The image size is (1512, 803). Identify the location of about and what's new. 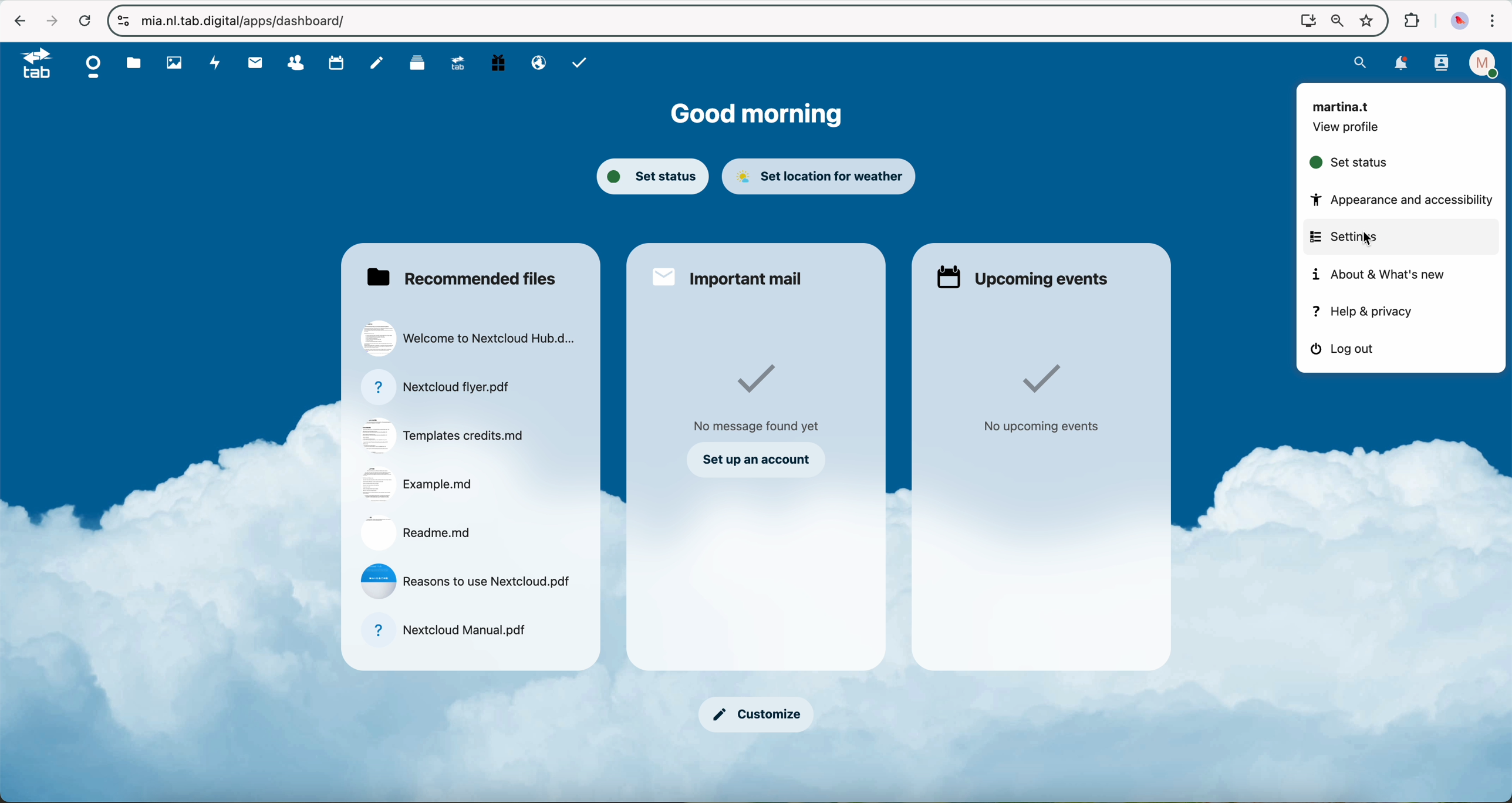
(1390, 275).